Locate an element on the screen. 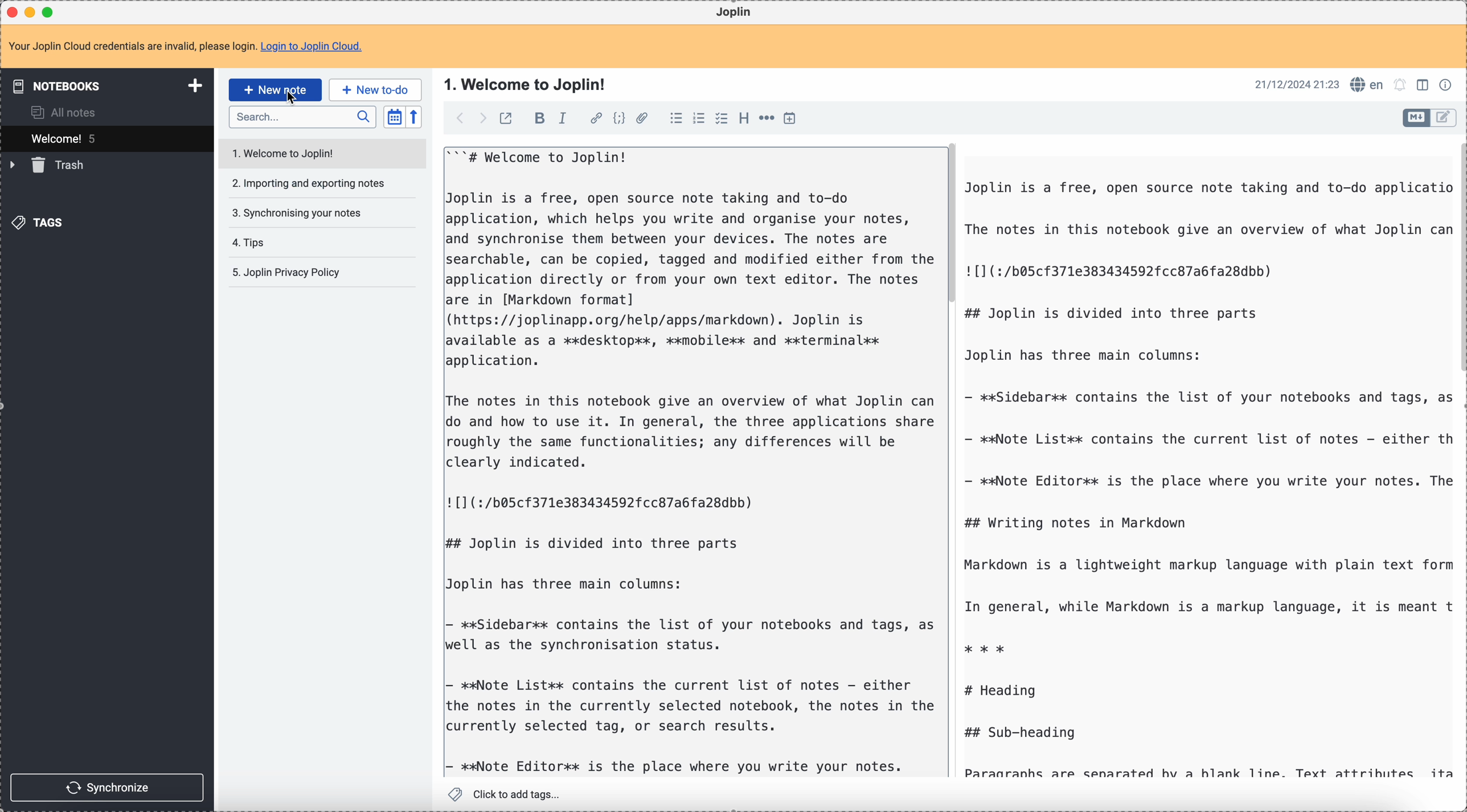 The image size is (1467, 812). trash is located at coordinates (49, 165).